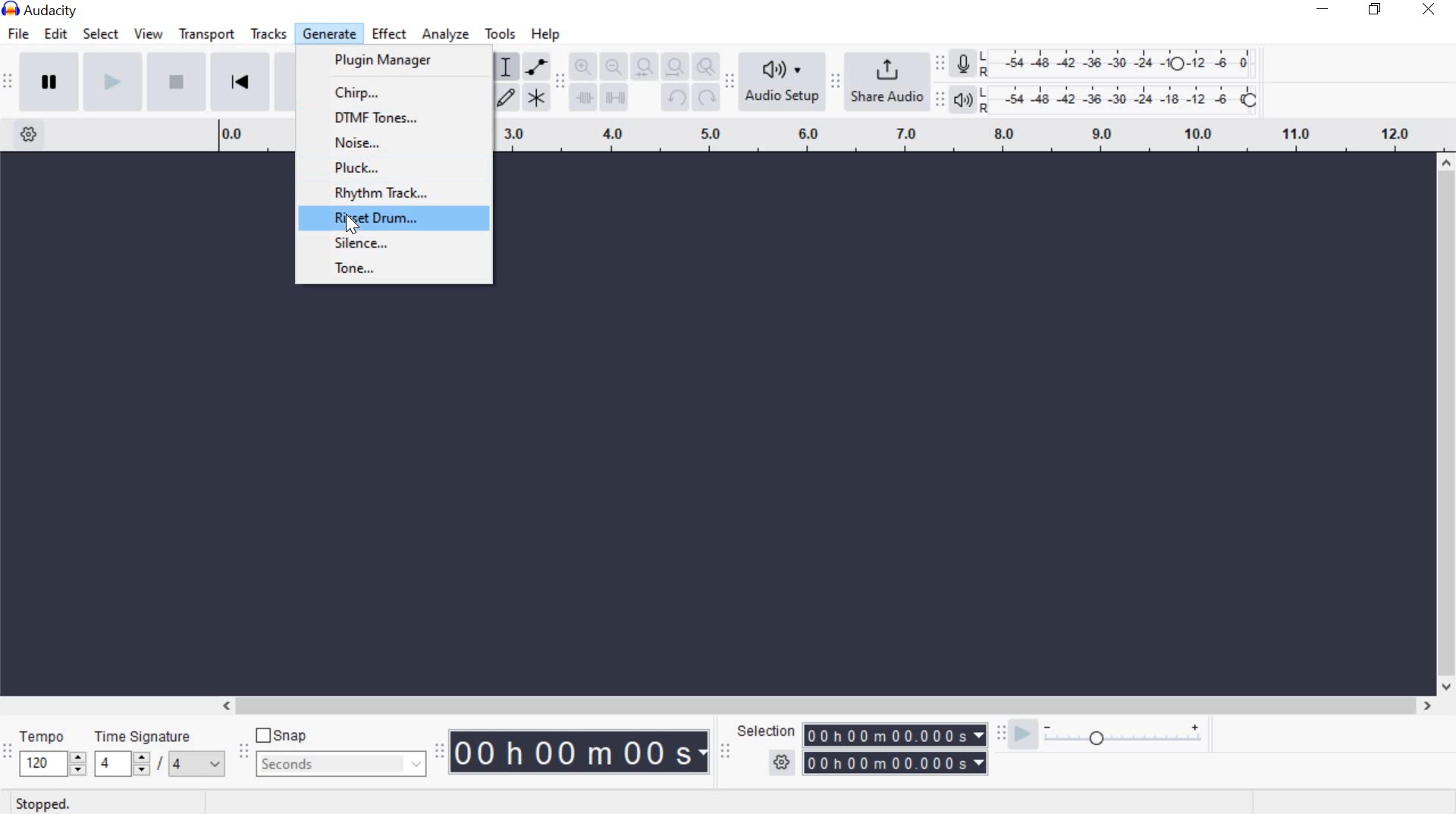  What do you see at coordinates (173, 81) in the screenshot?
I see `Stop` at bounding box center [173, 81].